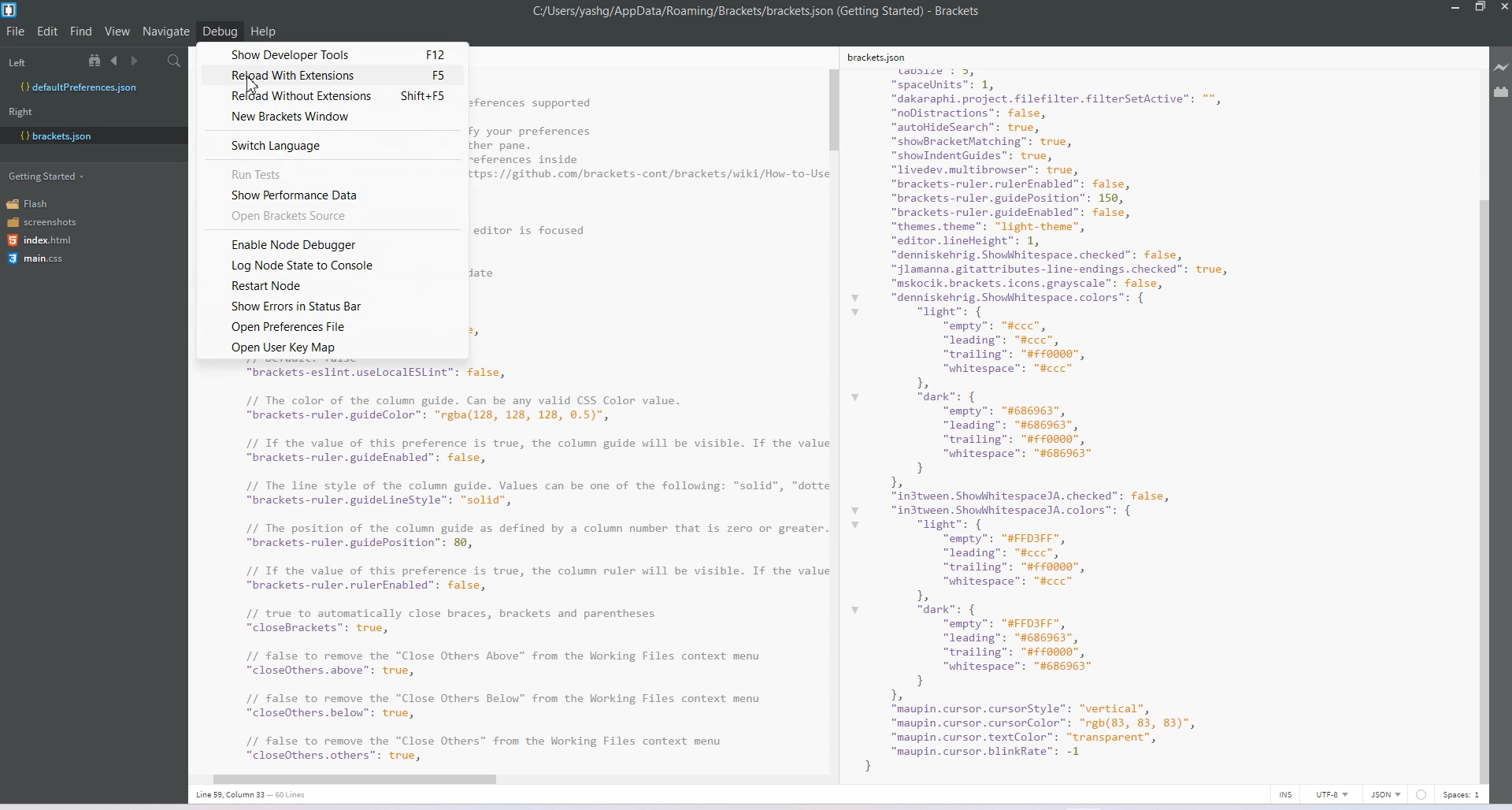  Describe the element at coordinates (176, 61) in the screenshot. I see `Find in Files` at that location.